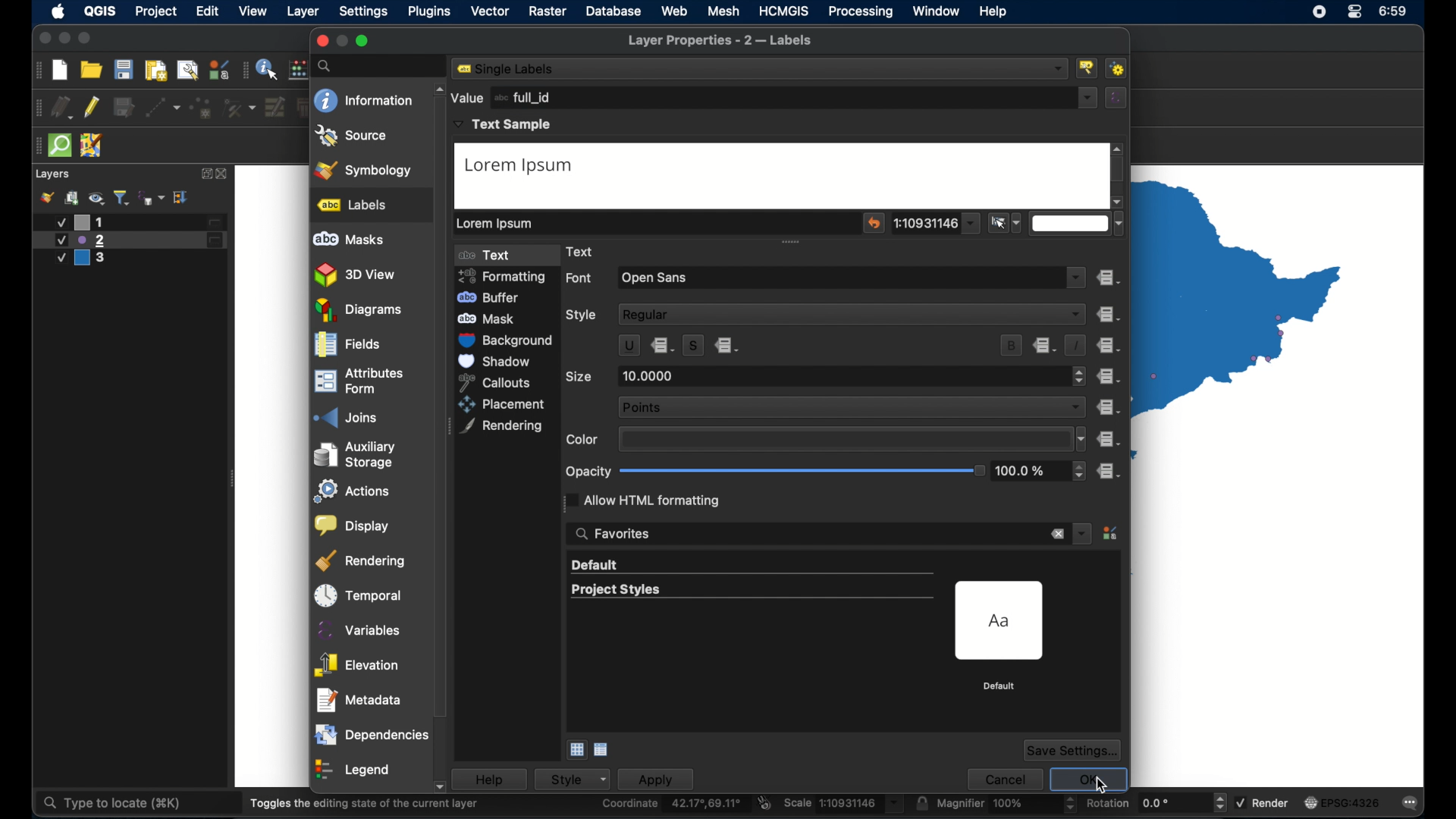  What do you see at coordinates (91, 69) in the screenshot?
I see `open` at bounding box center [91, 69].